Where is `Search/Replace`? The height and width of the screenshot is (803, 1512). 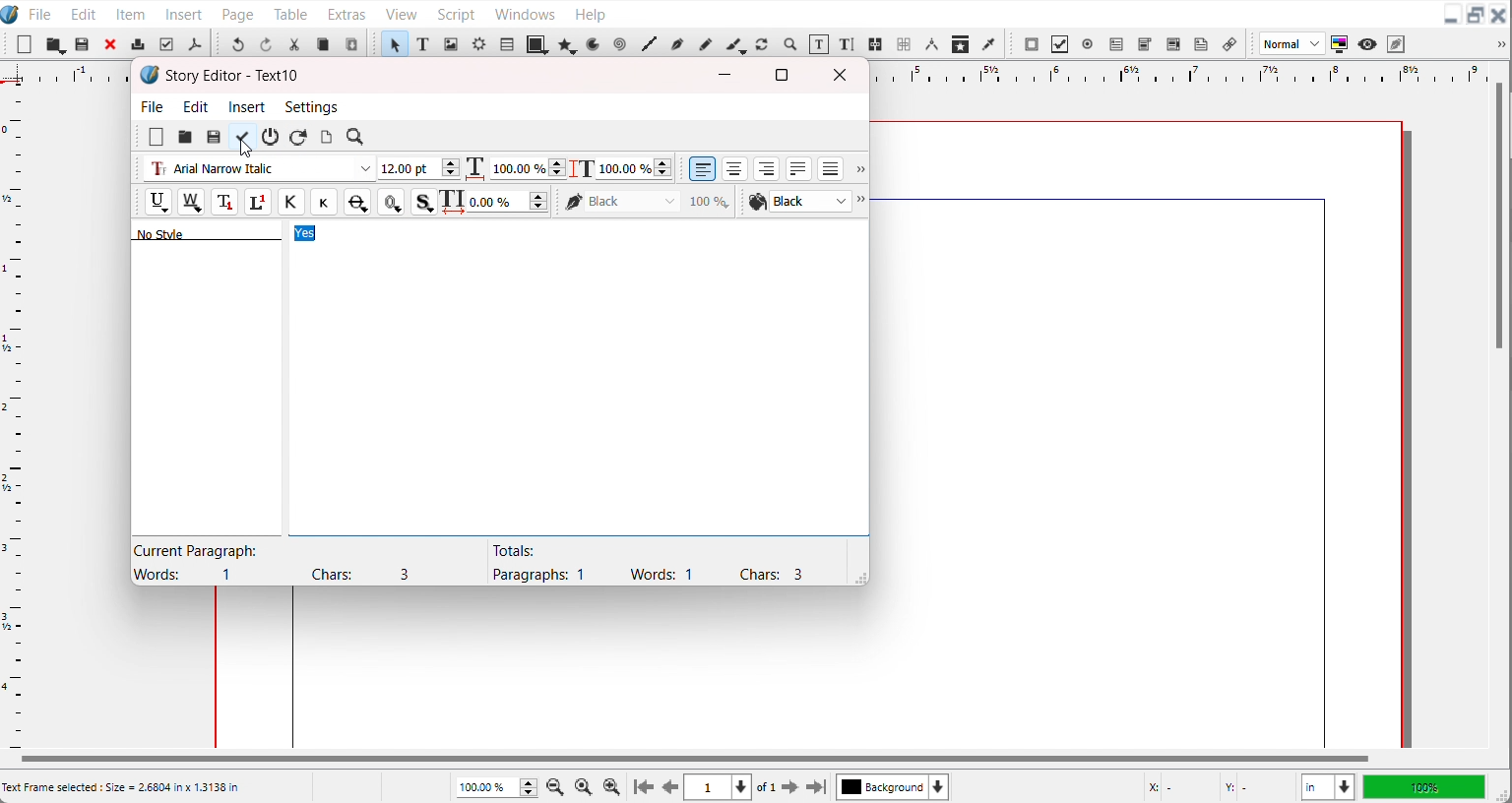
Search/Replace is located at coordinates (357, 138).